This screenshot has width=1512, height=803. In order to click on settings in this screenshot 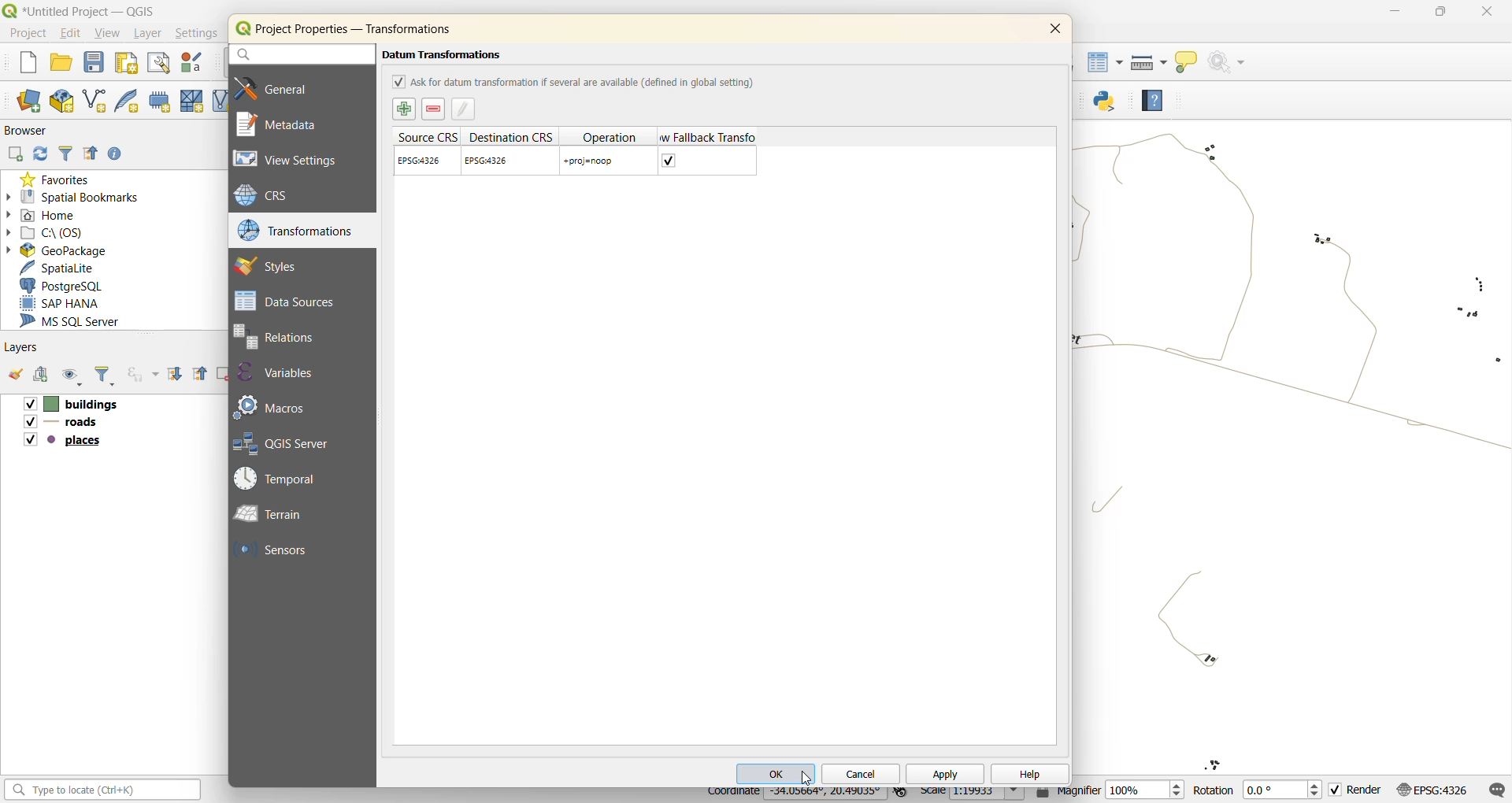, I will do `click(197, 35)`.